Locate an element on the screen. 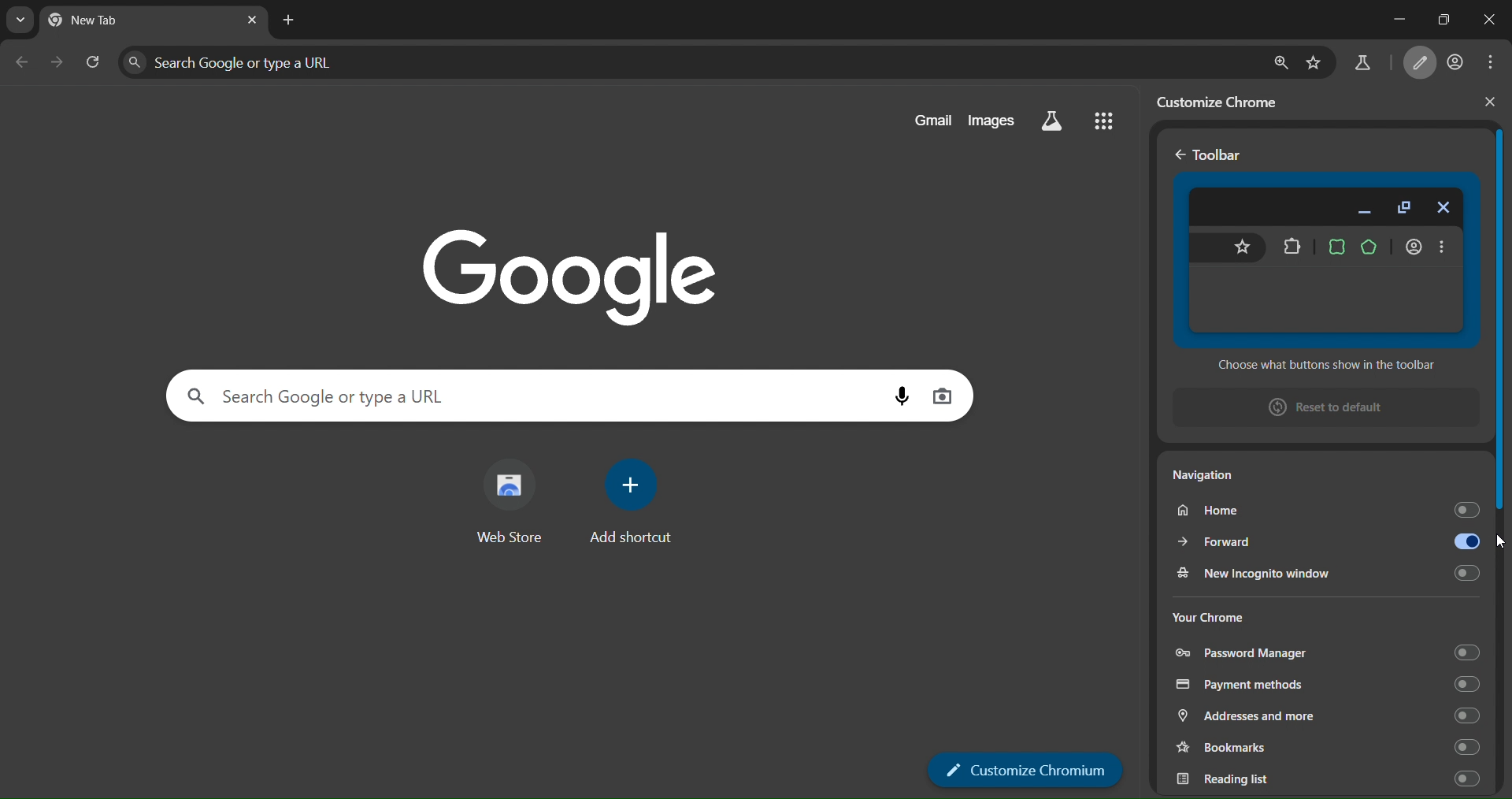  home is located at coordinates (1324, 509).